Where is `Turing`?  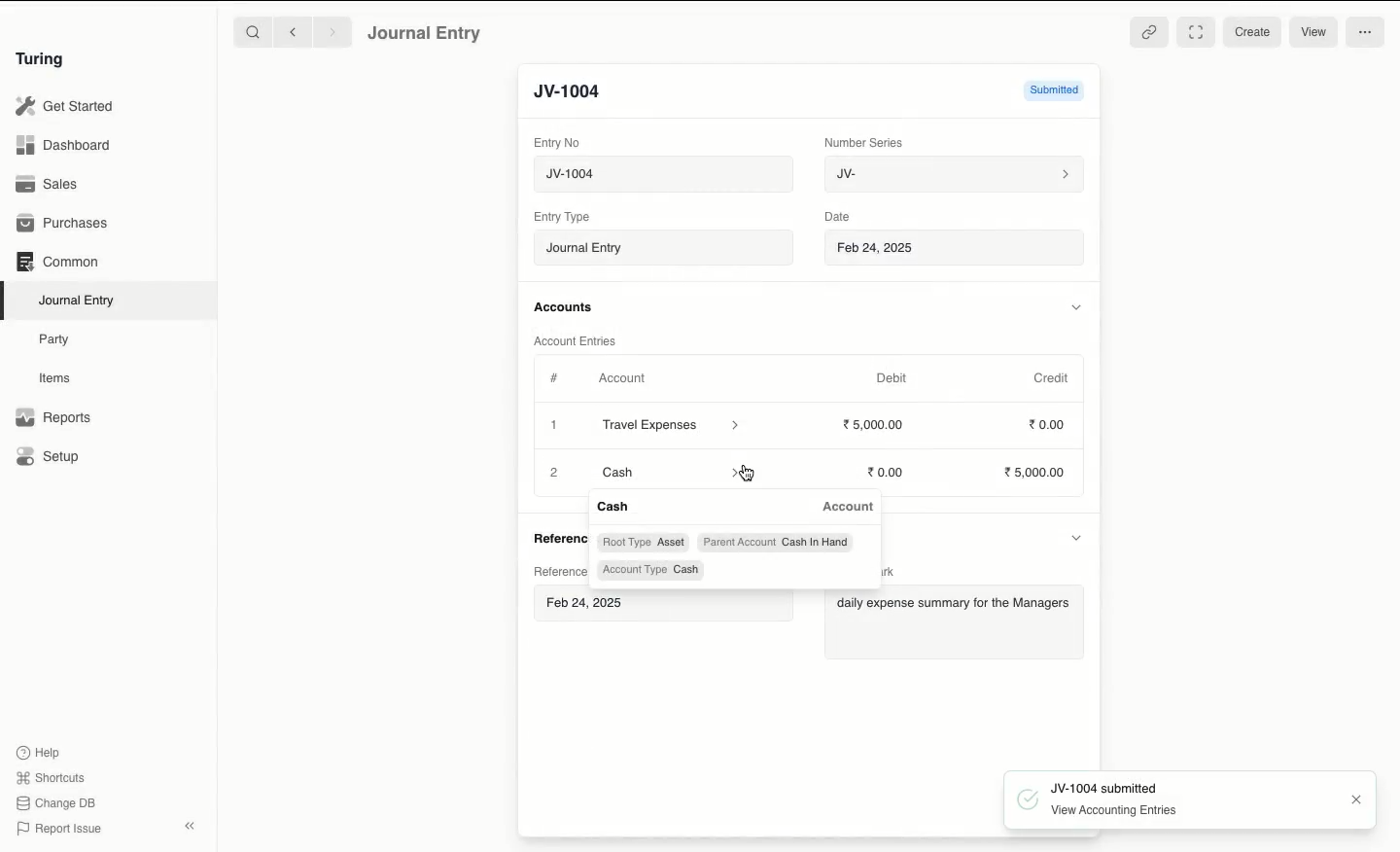
Turing is located at coordinates (44, 60).